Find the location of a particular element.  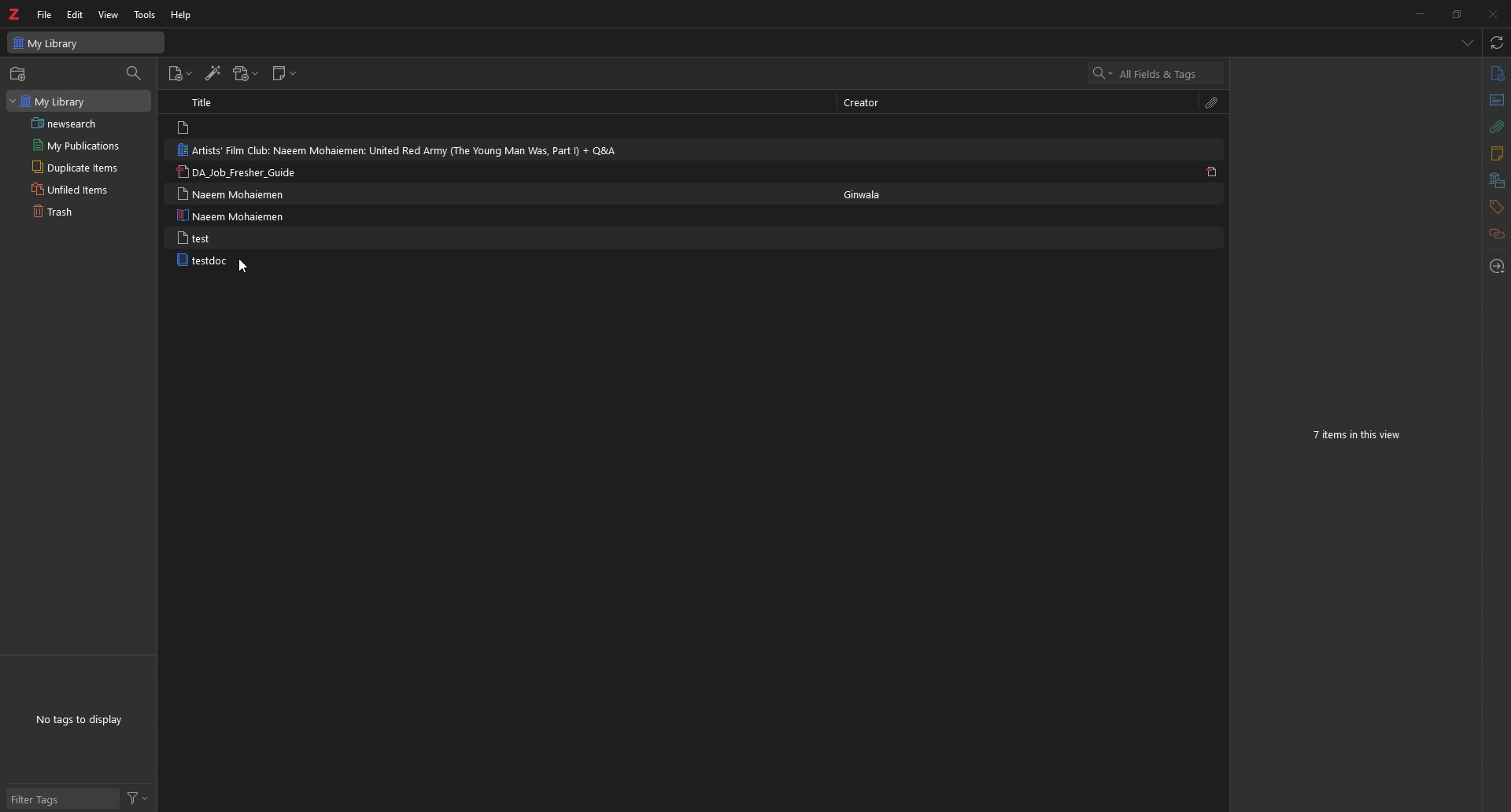

attachments is located at coordinates (1493, 127).